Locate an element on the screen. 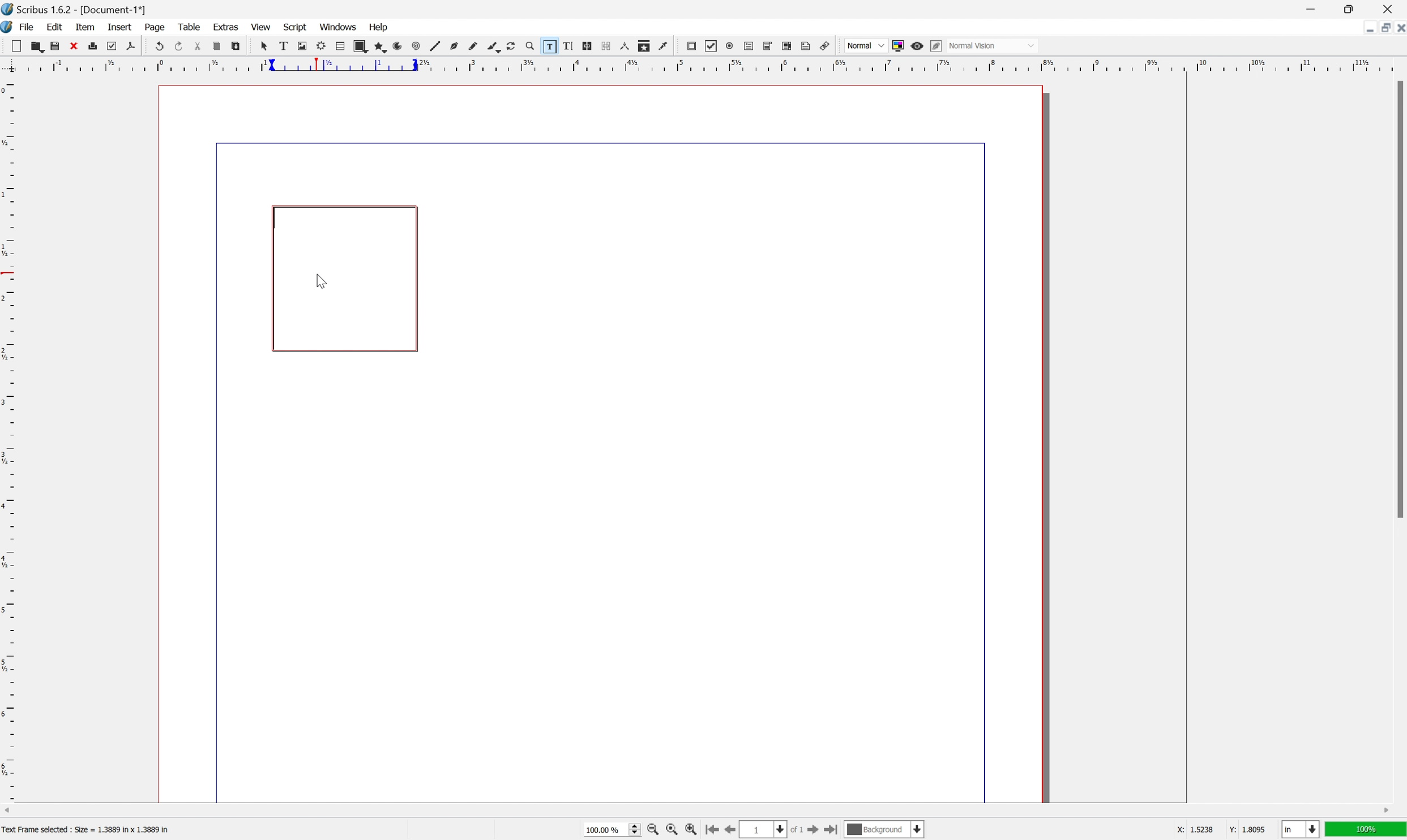 The image size is (1407, 840). scroll bar is located at coordinates (1398, 299).